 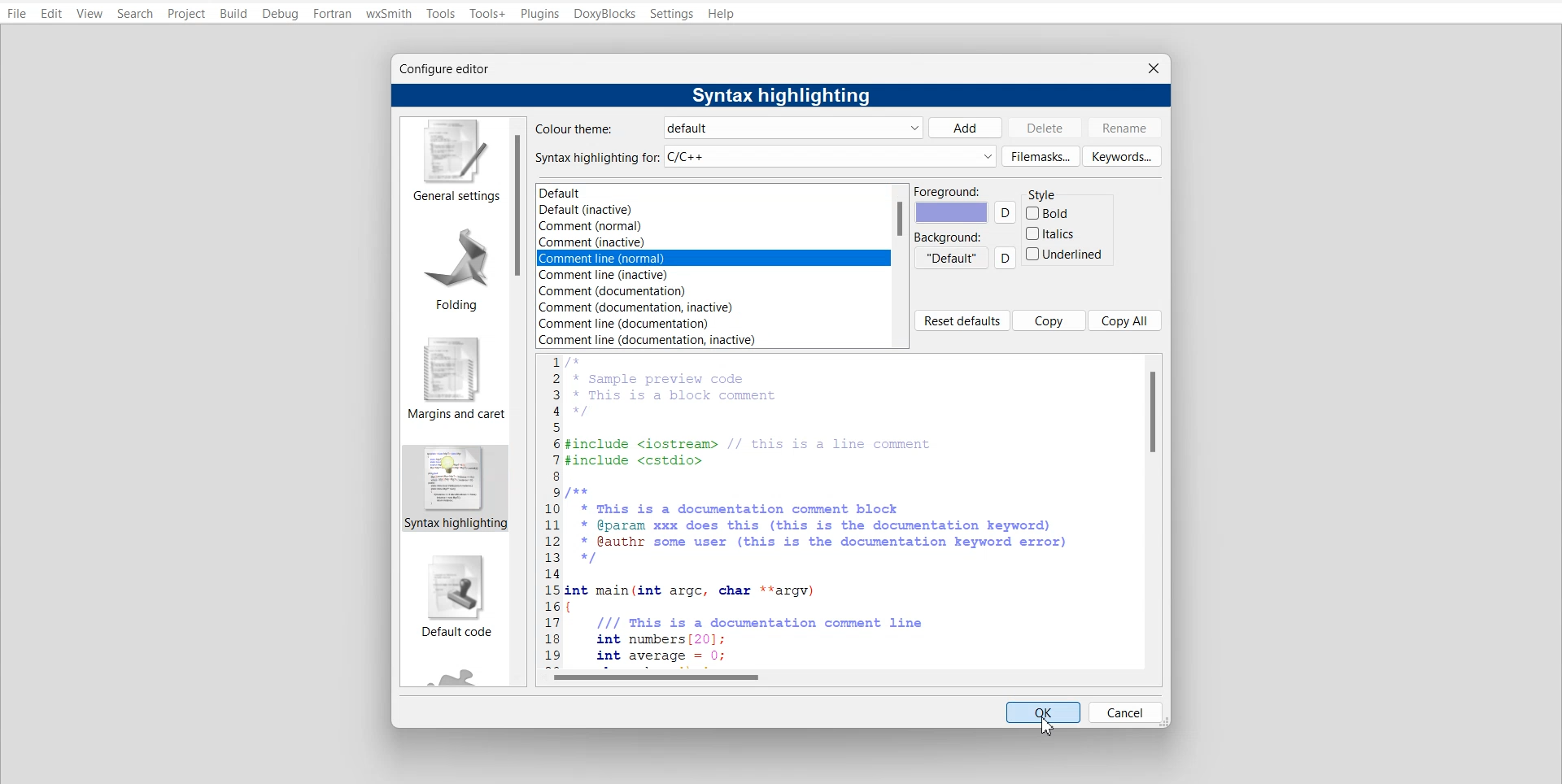 I want to click on Close, so click(x=1153, y=66).